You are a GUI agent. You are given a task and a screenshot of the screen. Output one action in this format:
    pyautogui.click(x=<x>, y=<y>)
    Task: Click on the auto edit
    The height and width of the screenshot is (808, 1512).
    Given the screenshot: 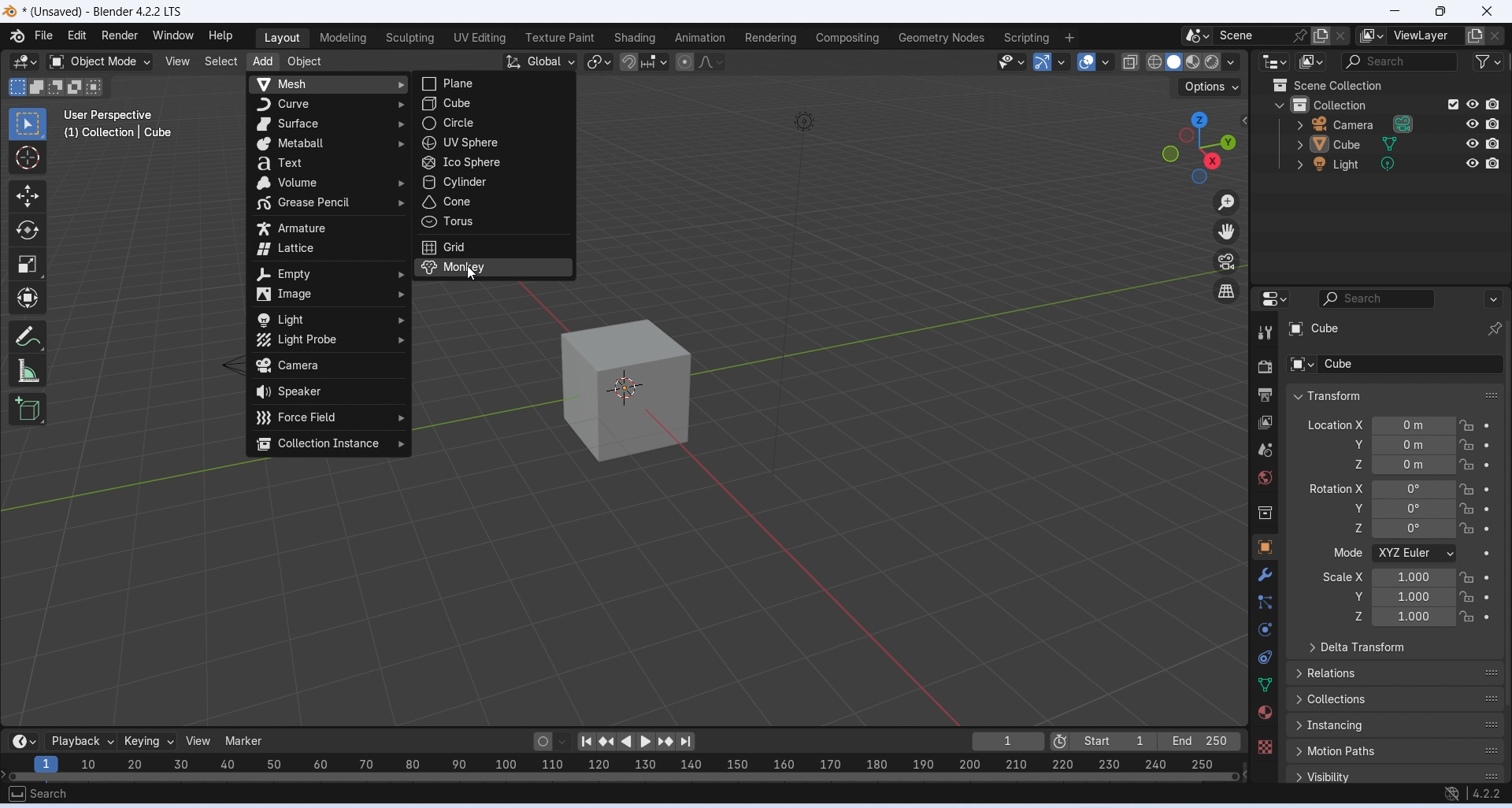 What is the action you would take?
    pyautogui.click(x=552, y=740)
    